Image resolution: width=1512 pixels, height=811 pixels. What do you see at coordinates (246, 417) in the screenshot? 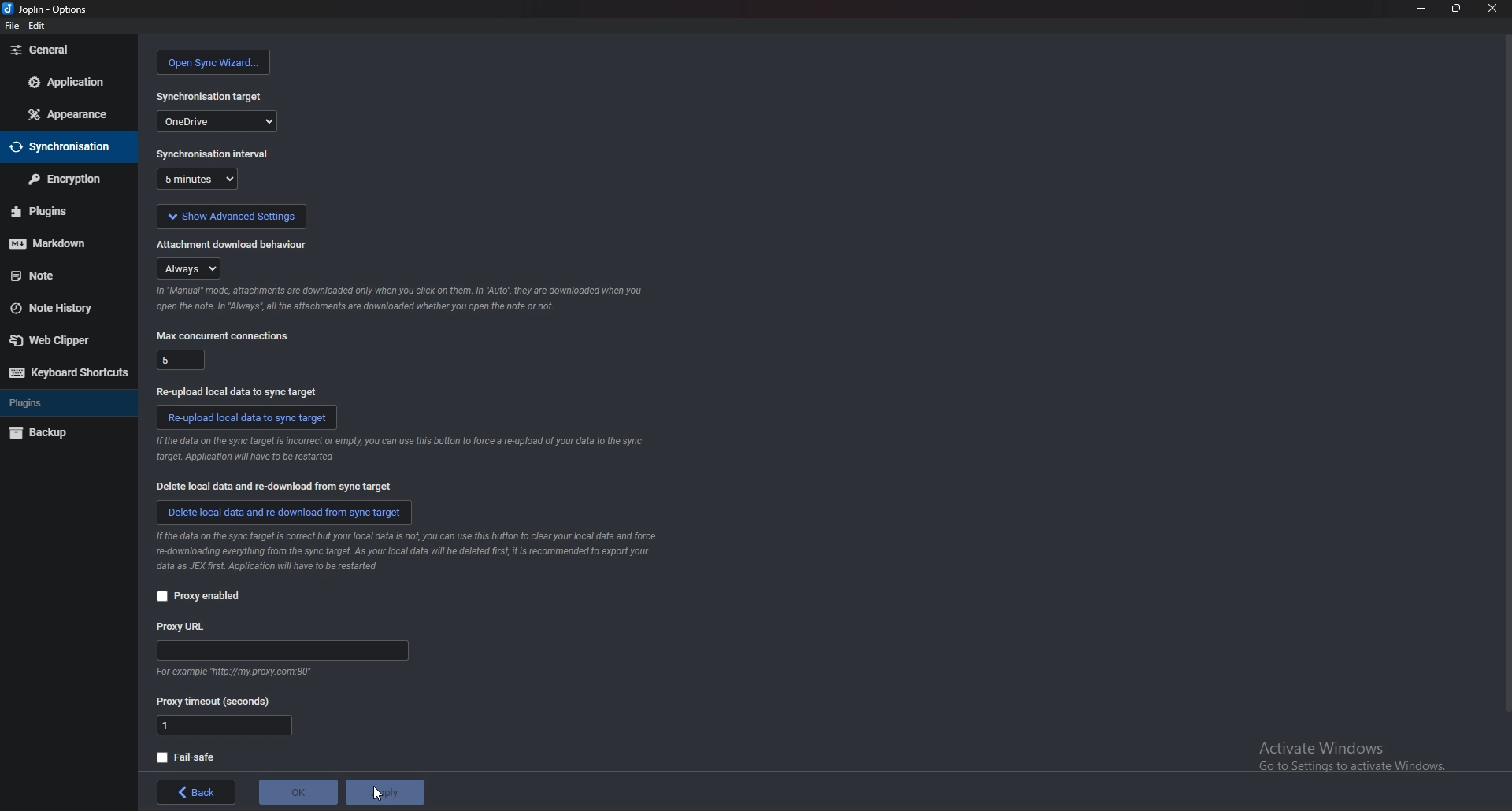
I see `reupload data` at bounding box center [246, 417].